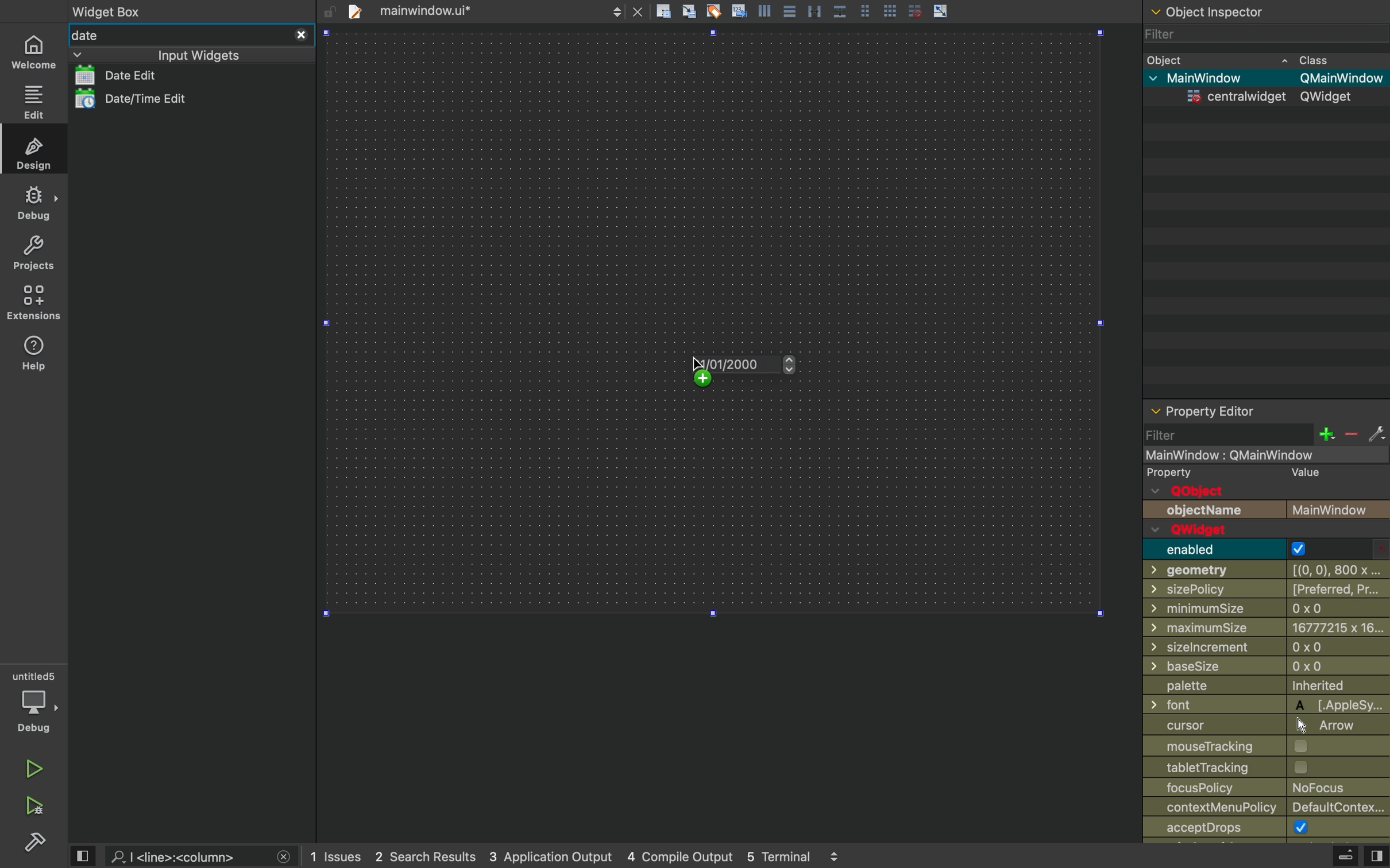  Describe the element at coordinates (179, 36) in the screenshot. I see `date` at that location.